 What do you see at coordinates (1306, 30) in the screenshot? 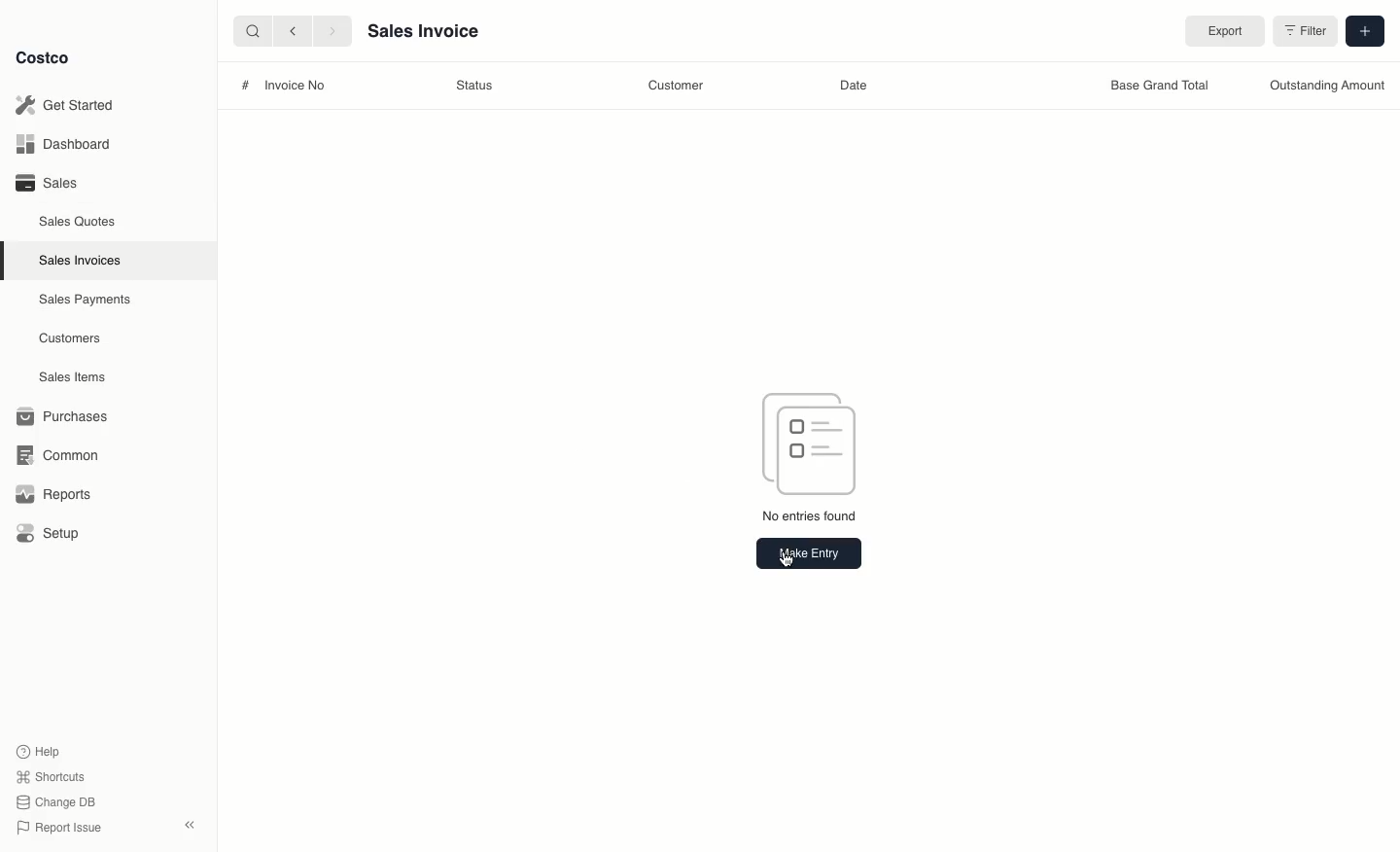
I see `Filter` at bounding box center [1306, 30].